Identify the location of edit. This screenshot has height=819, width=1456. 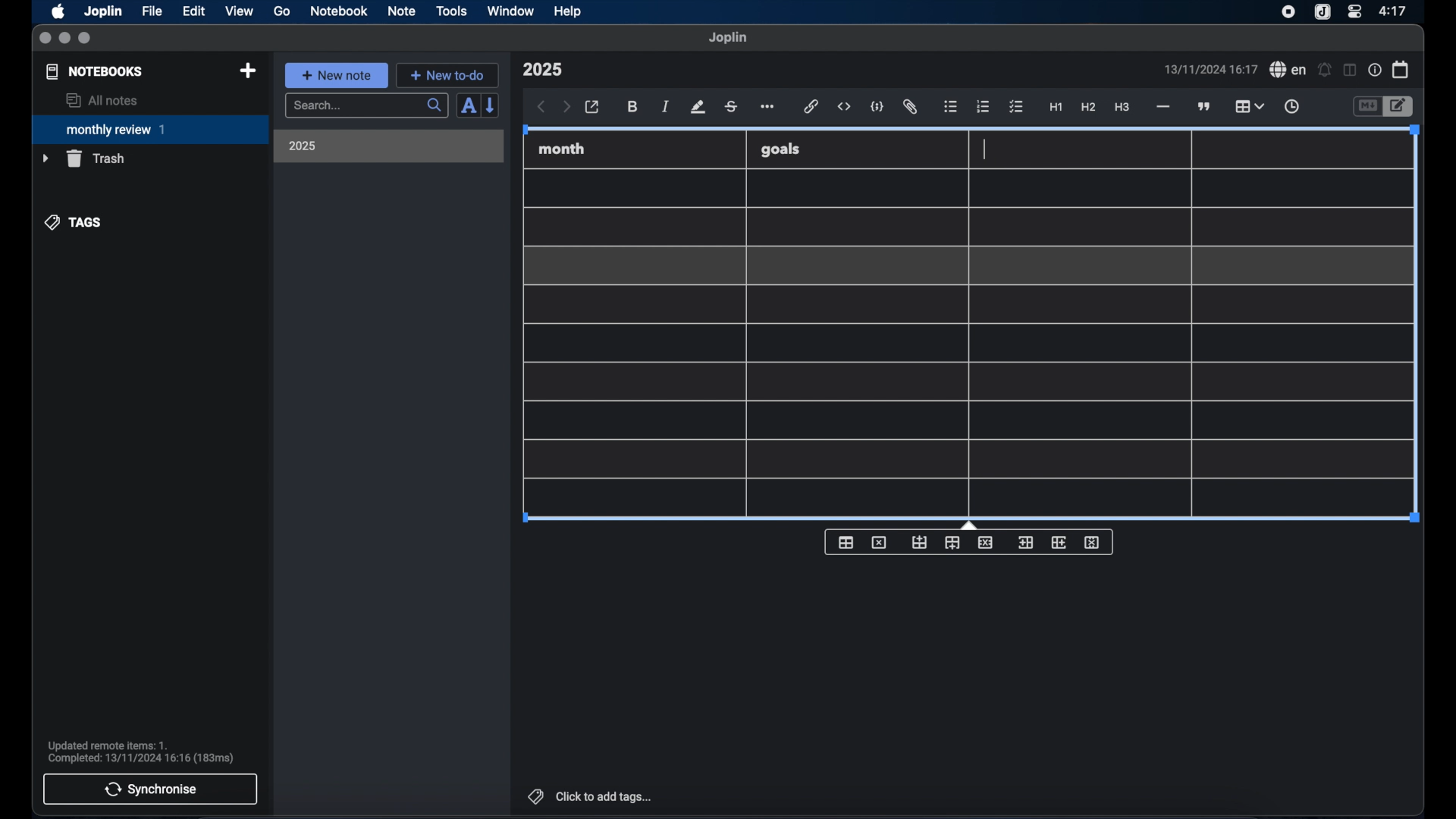
(195, 11).